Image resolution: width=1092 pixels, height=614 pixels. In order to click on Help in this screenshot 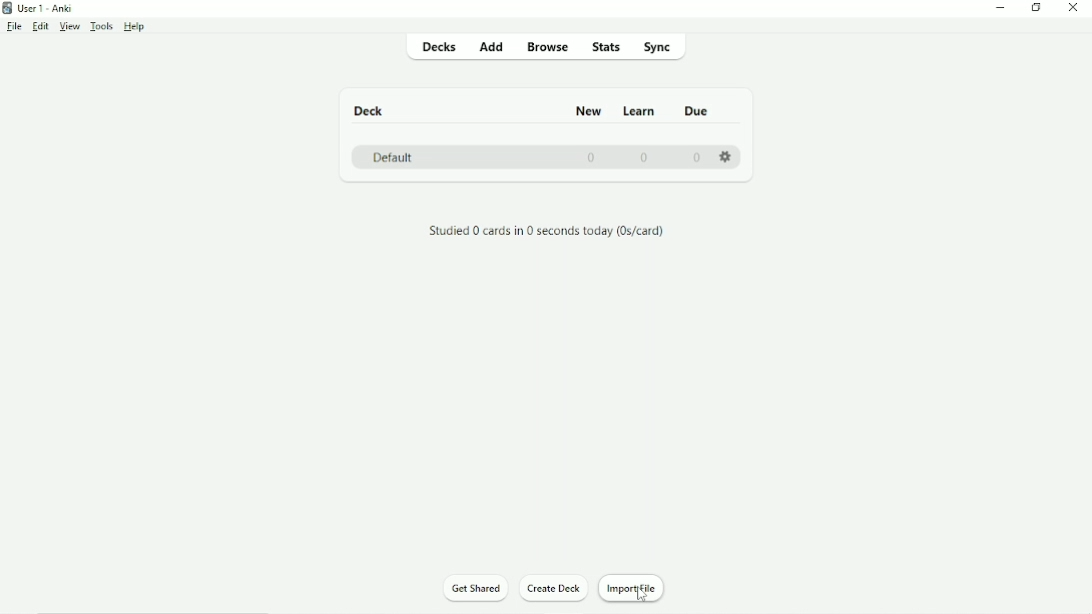, I will do `click(134, 26)`.